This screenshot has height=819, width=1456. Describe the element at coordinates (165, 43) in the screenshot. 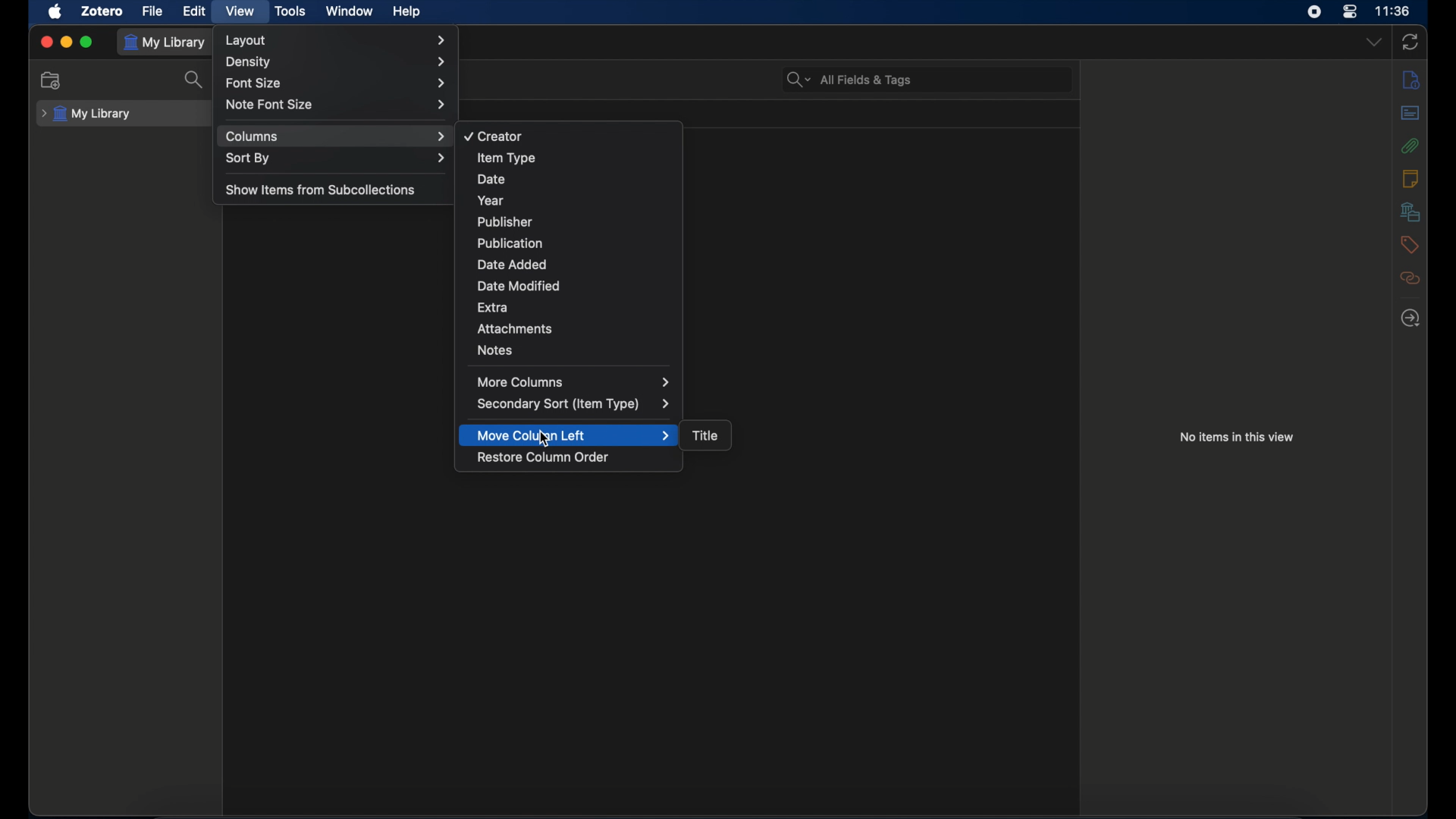

I see `my library` at that location.